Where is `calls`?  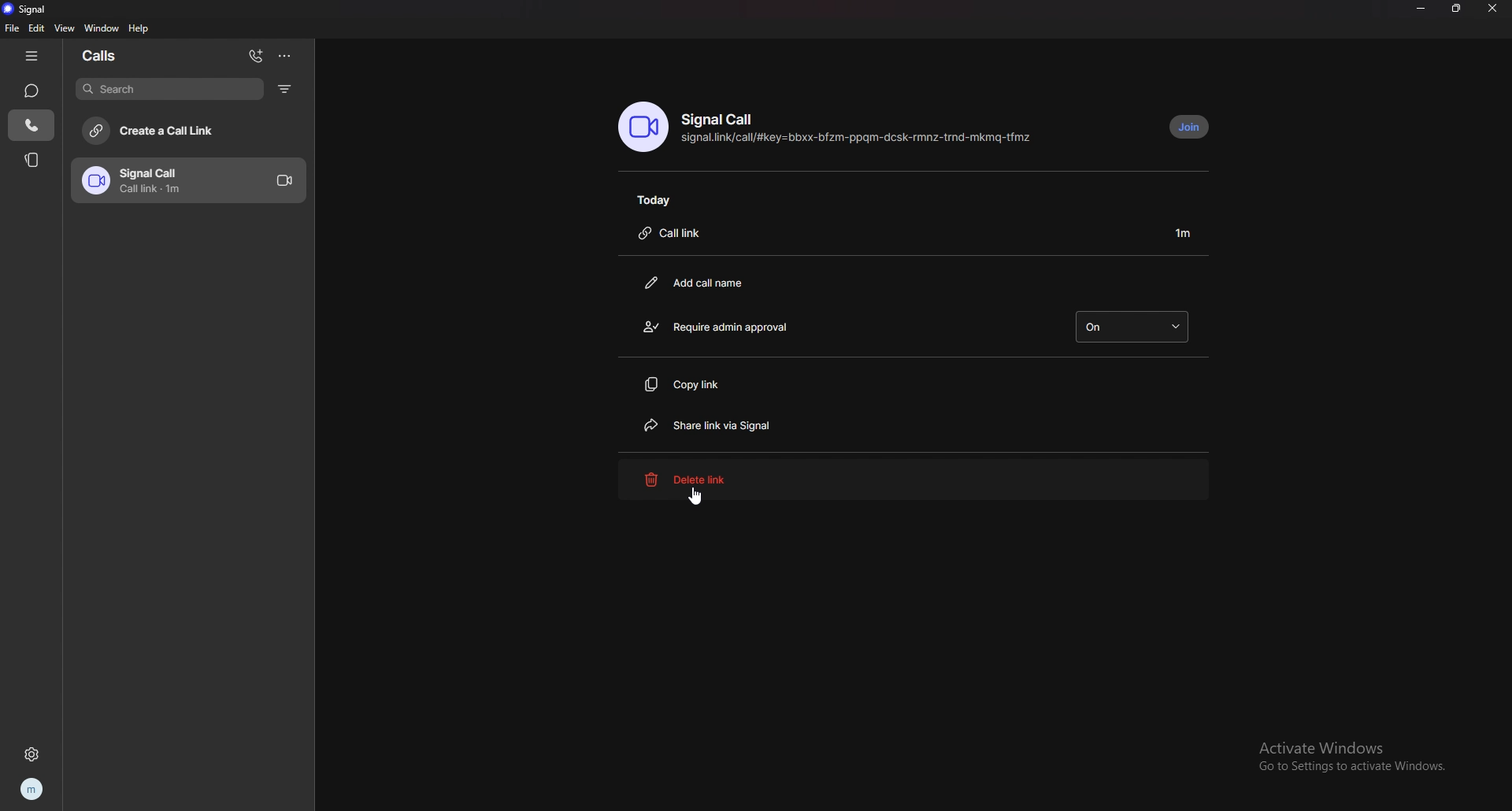 calls is located at coordinates (112, 57).